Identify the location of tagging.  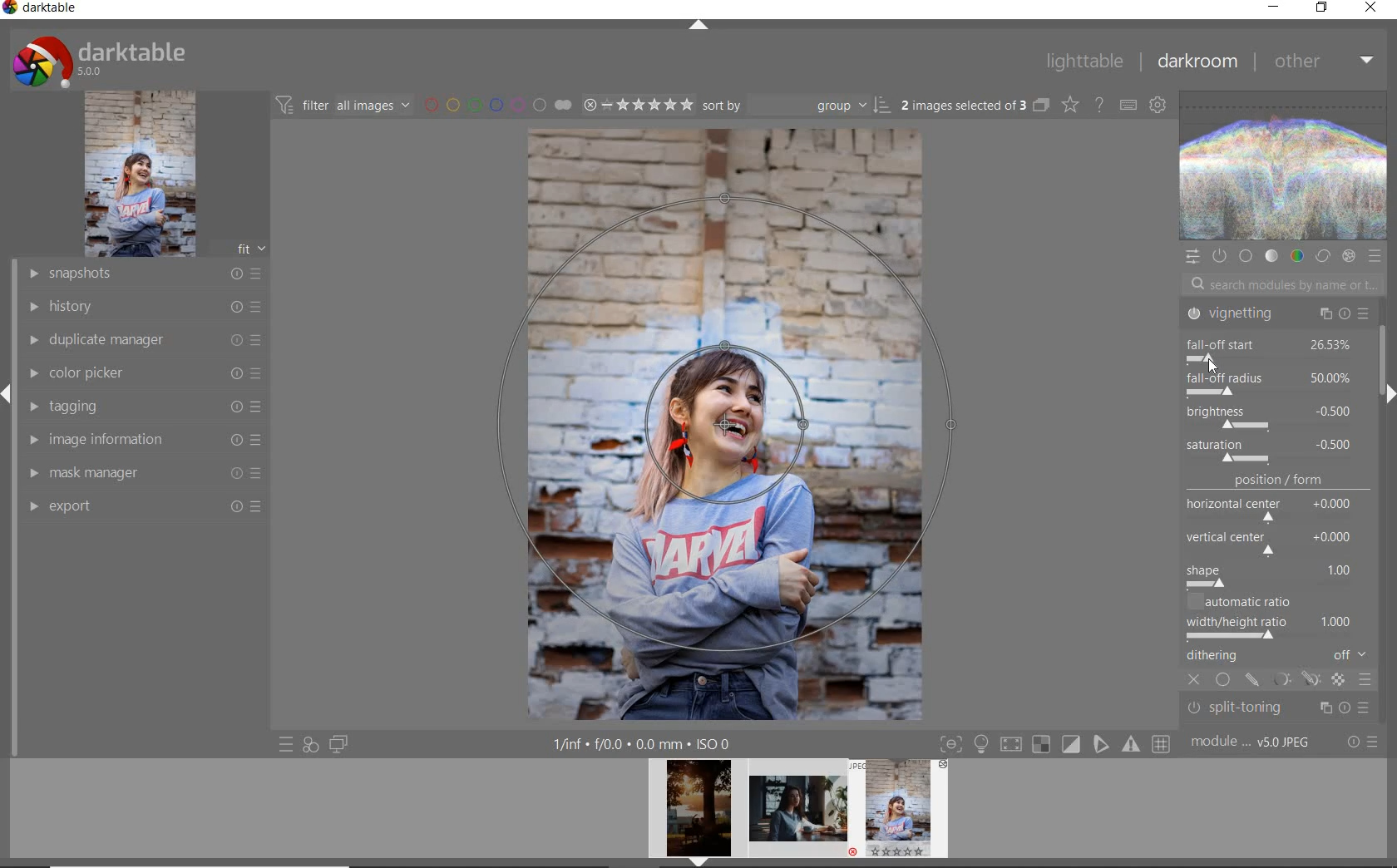
(140, 405).